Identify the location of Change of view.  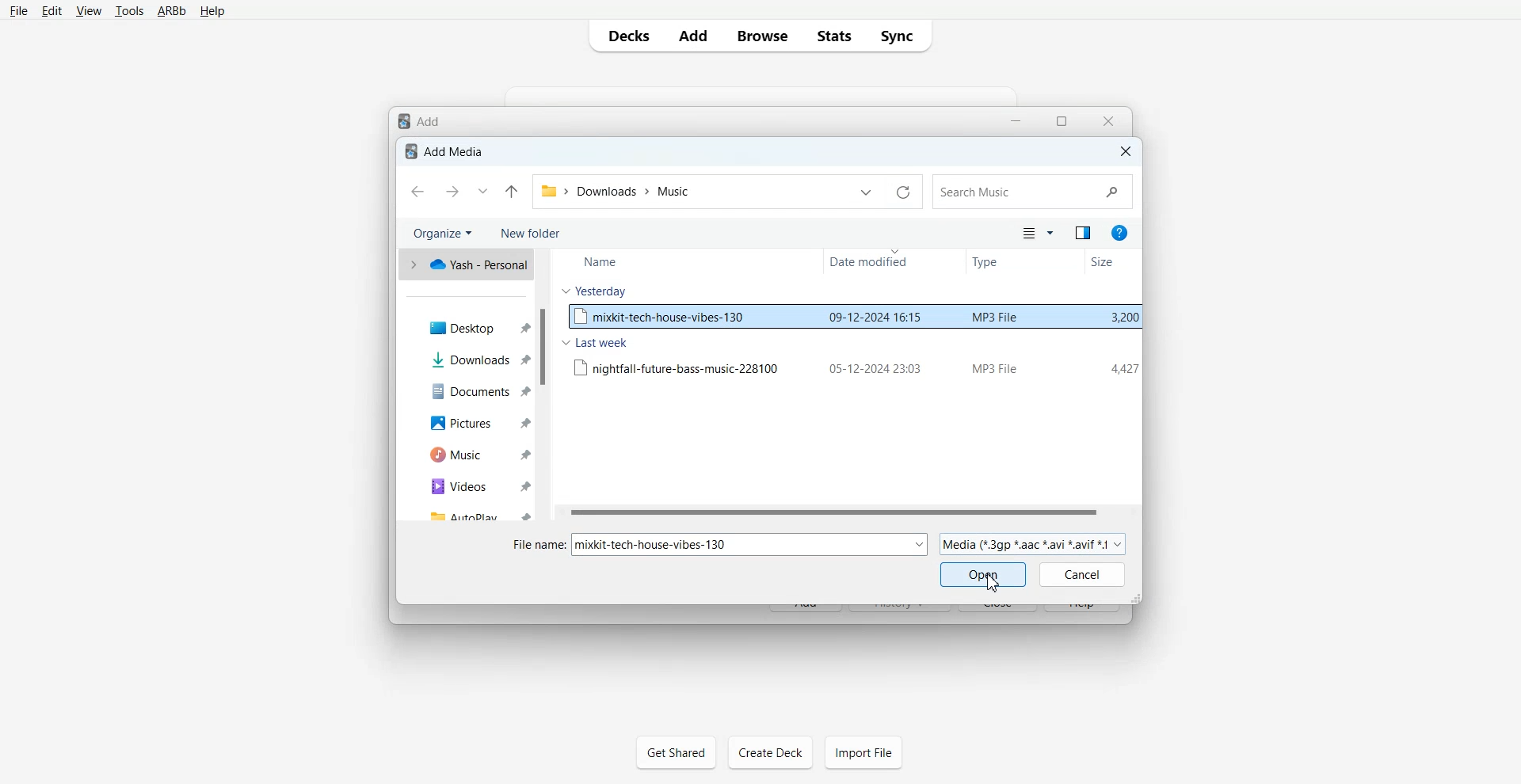
(1036, 234).